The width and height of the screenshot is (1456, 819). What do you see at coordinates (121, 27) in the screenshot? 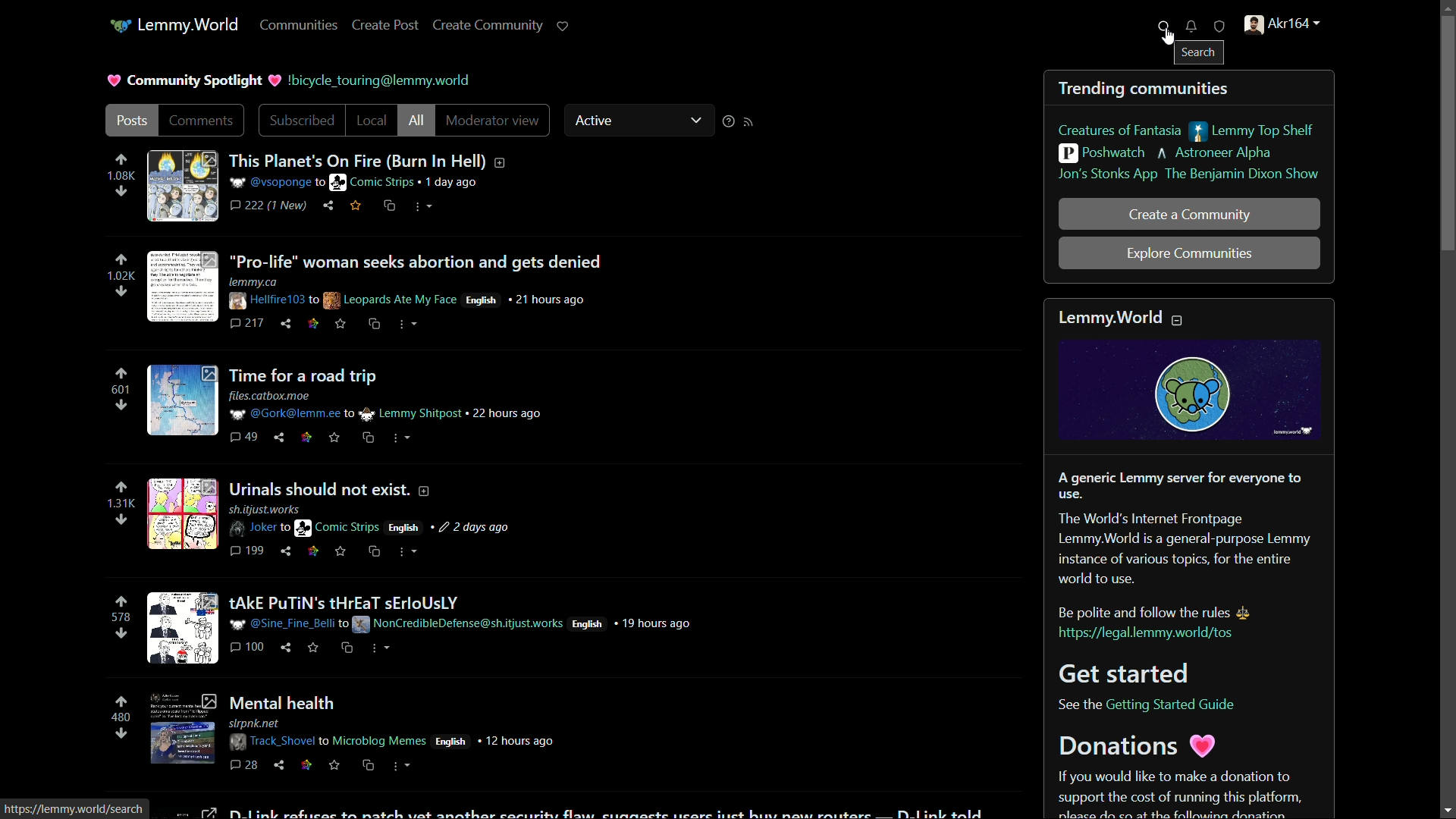
I see `icon` at bounding box center [121, 27].